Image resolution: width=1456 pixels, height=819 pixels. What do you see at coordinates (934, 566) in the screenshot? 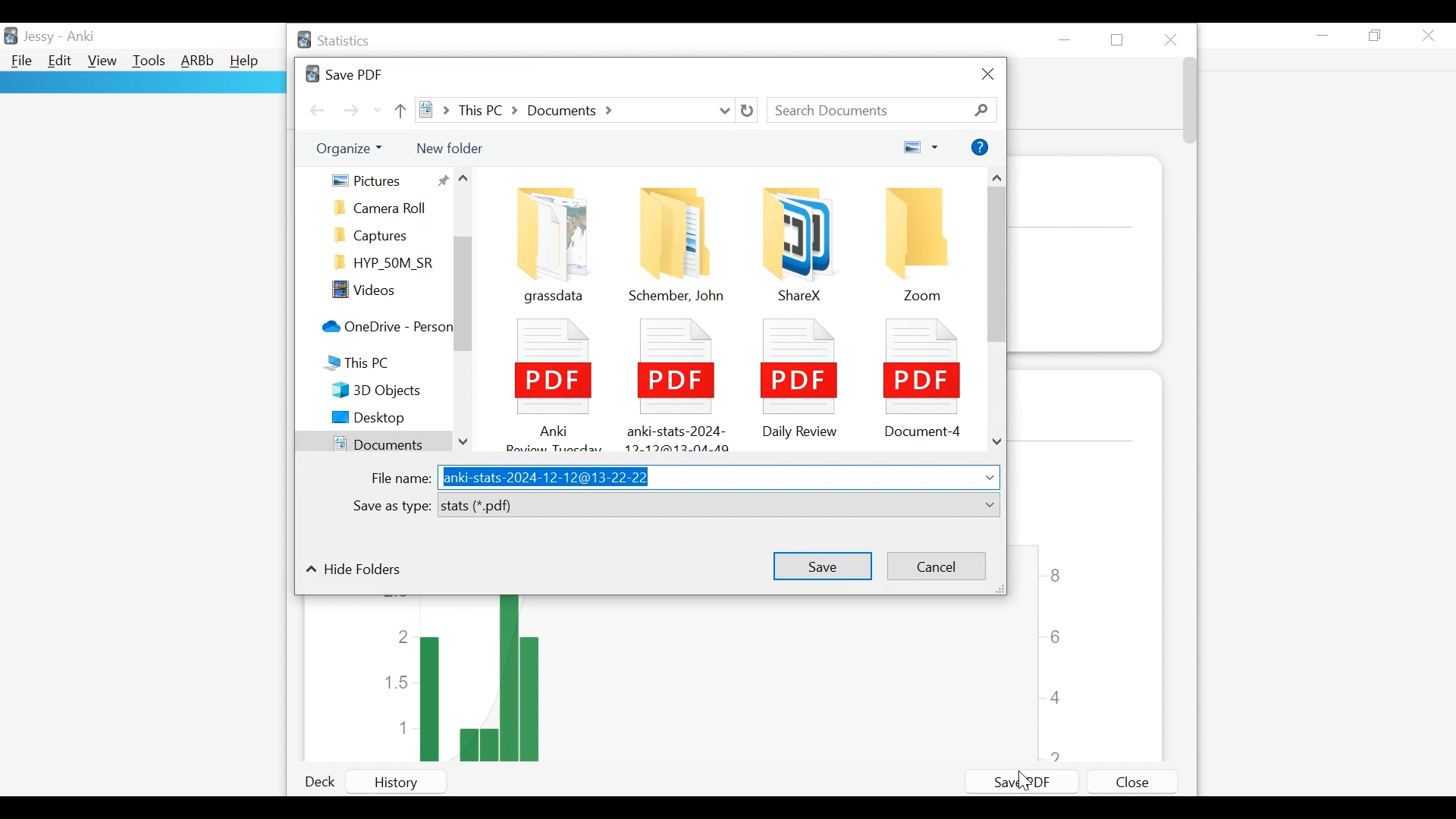
I see `Cancel` at bounding box center [934, 566].